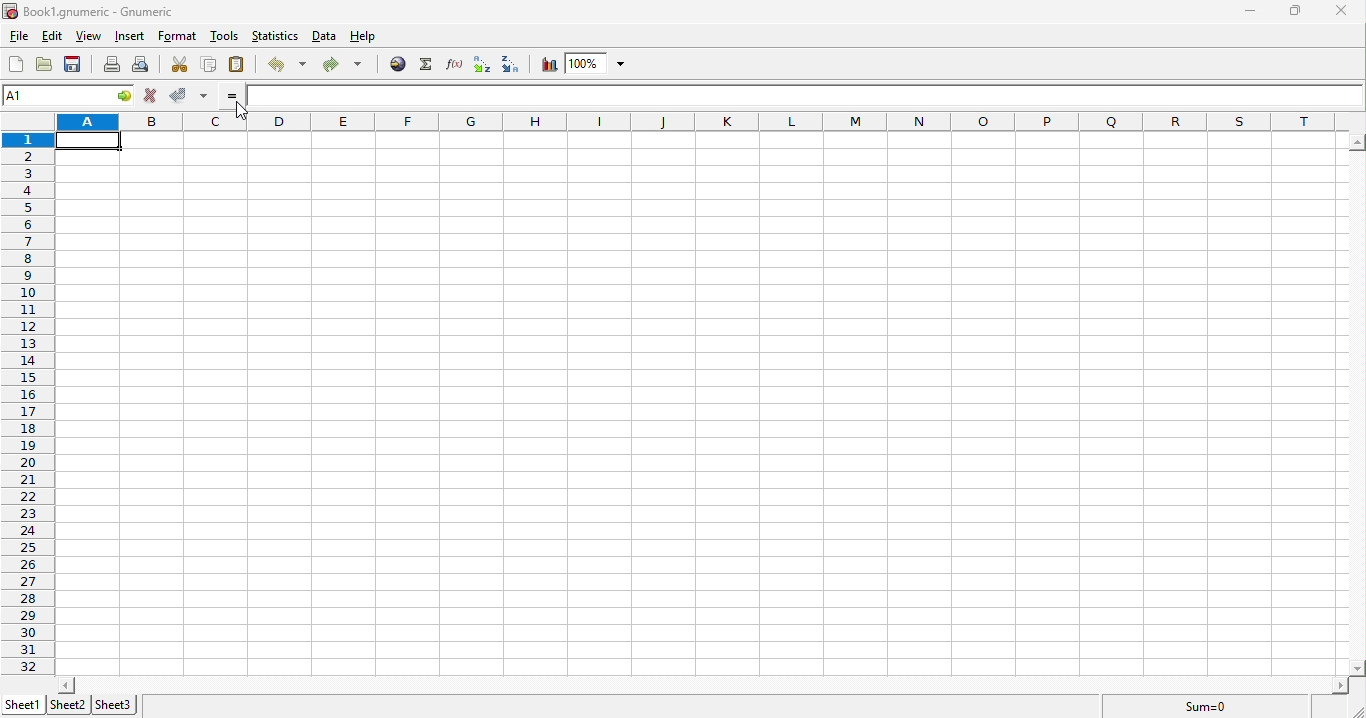  What do you see at coordinates (178, 36) in the screenshot?
I see `format` at bounding box center [178, 36].